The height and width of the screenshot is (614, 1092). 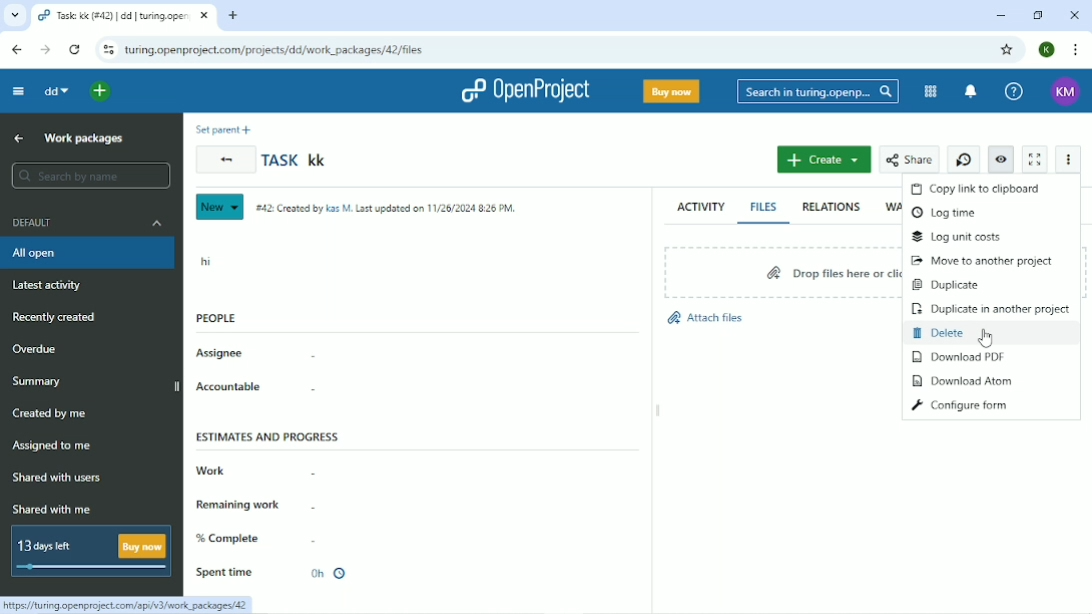 I want to click on Back, so click(x=225, y=159).